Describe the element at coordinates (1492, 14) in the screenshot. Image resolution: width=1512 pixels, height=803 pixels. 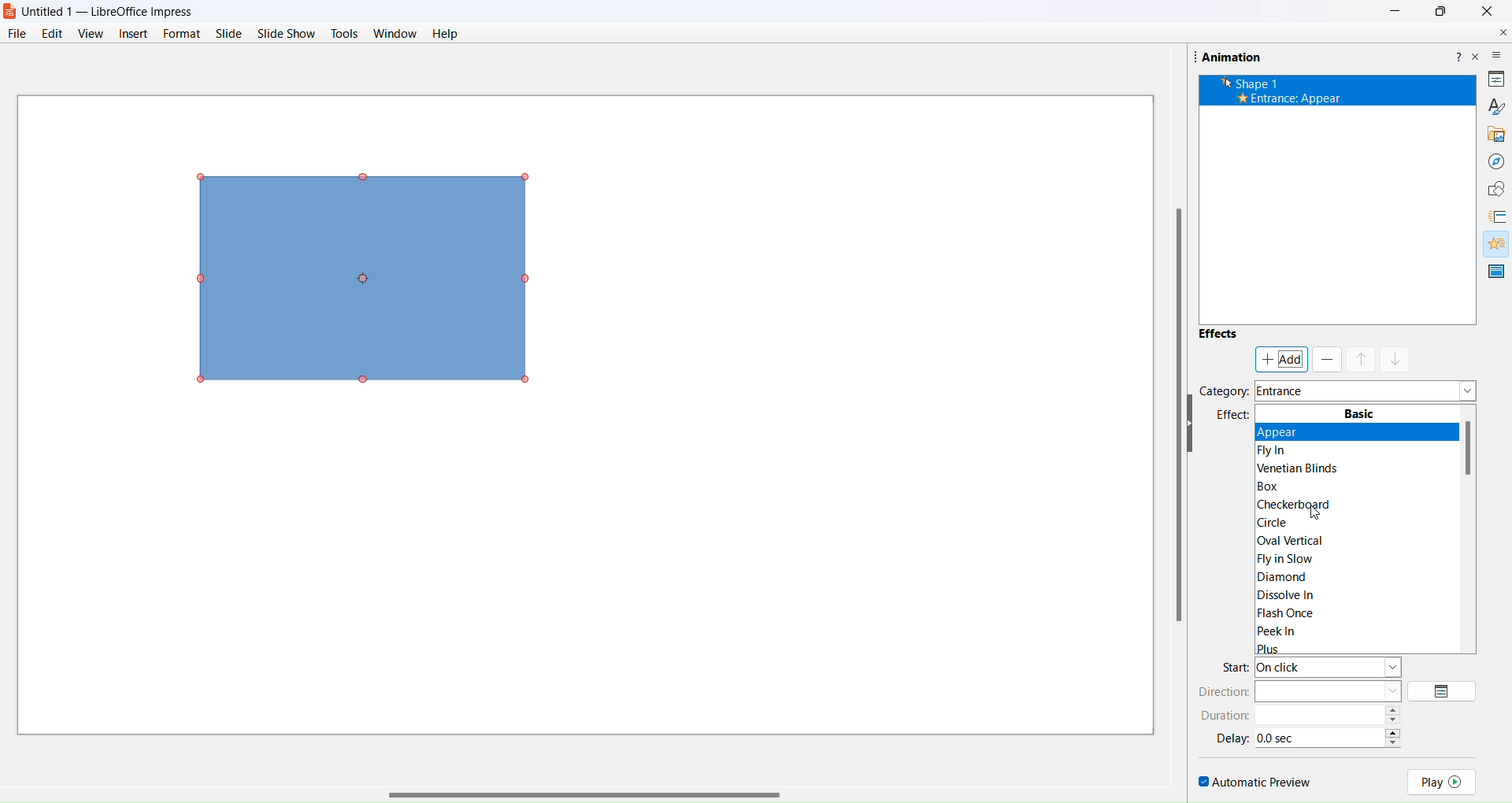
I see `Close` at that location.